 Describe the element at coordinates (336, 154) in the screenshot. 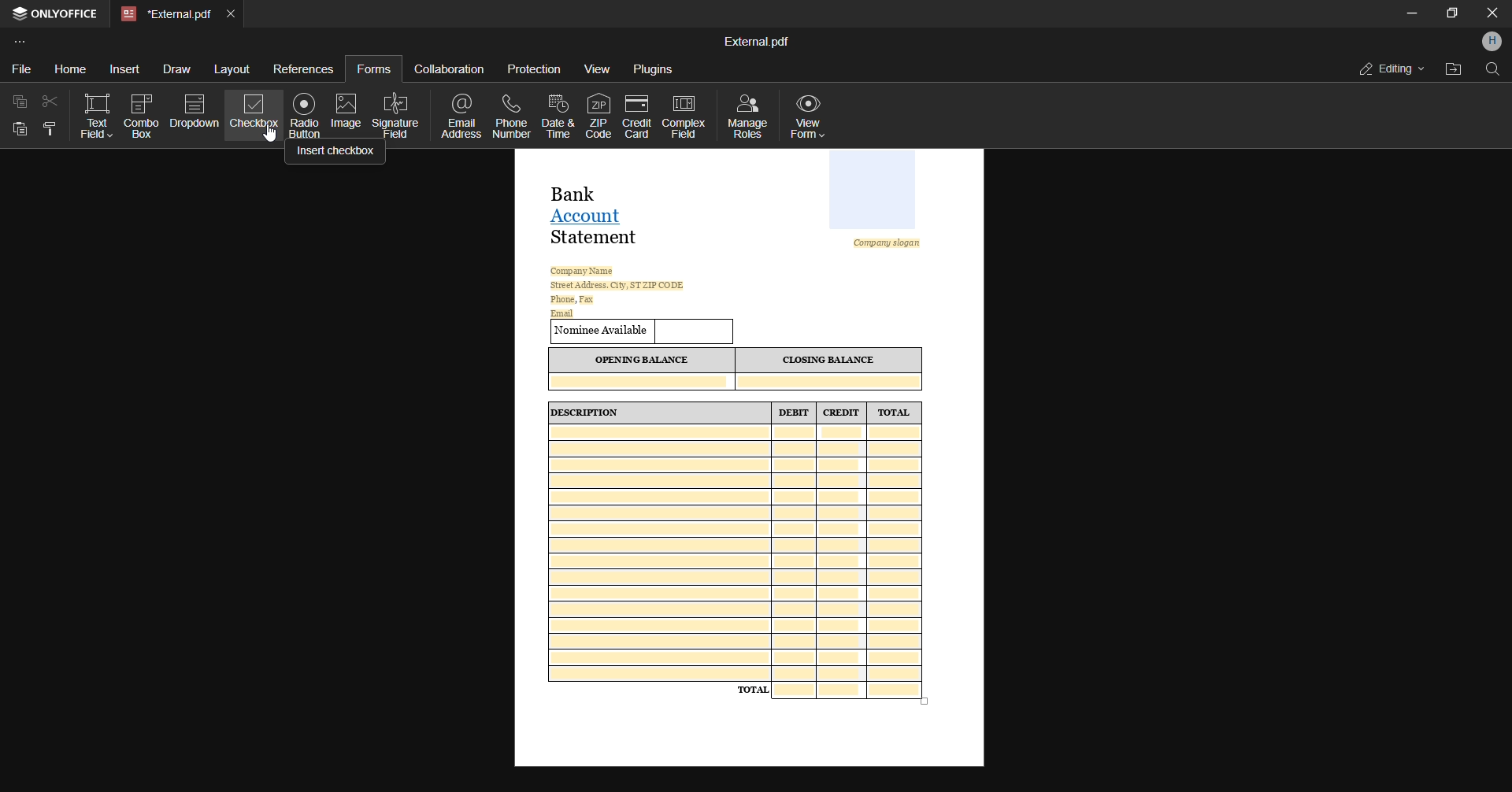

I see `insert chekbox` at that location.